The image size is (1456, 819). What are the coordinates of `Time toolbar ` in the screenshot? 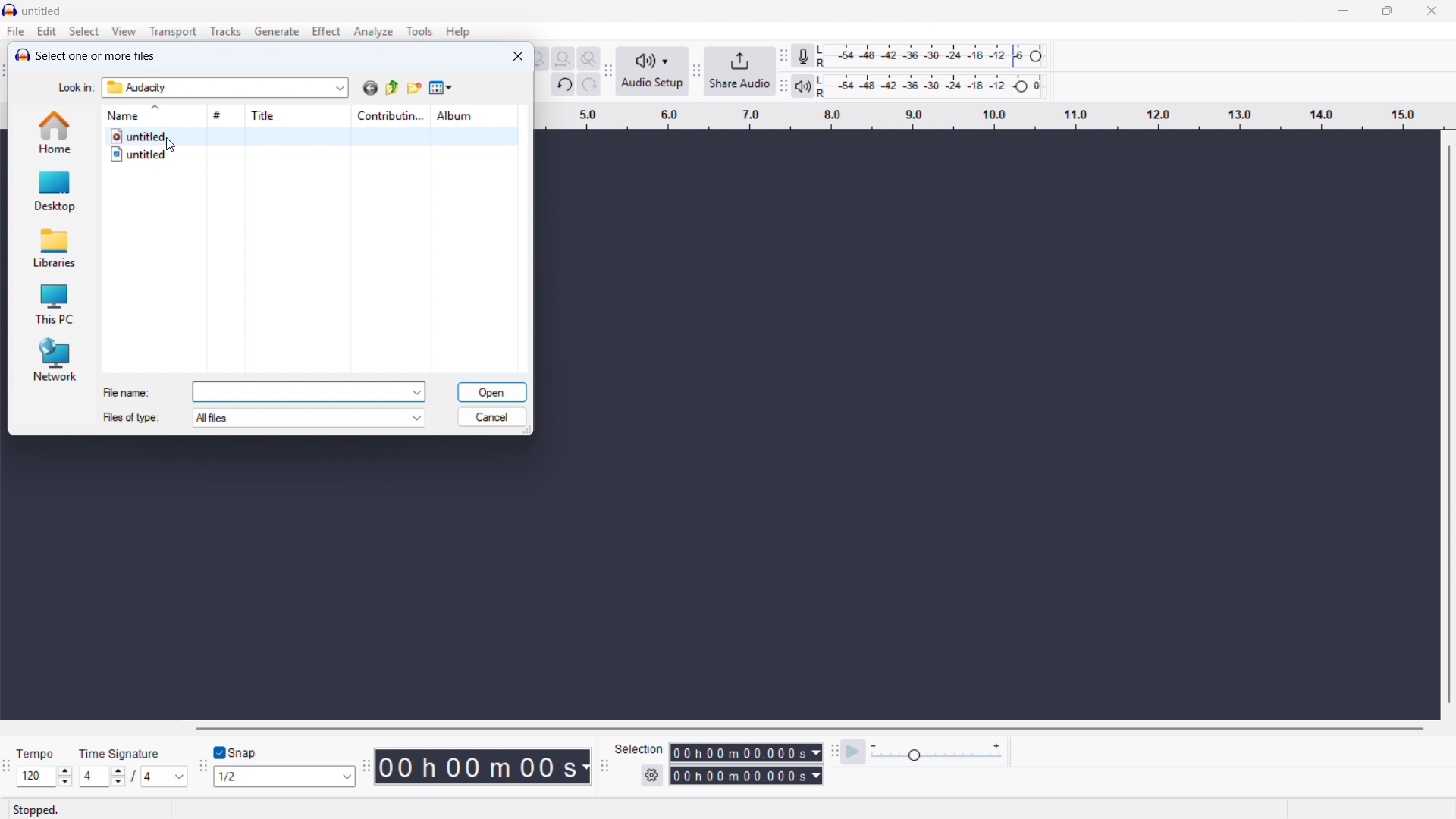 It's located at (366, 768).